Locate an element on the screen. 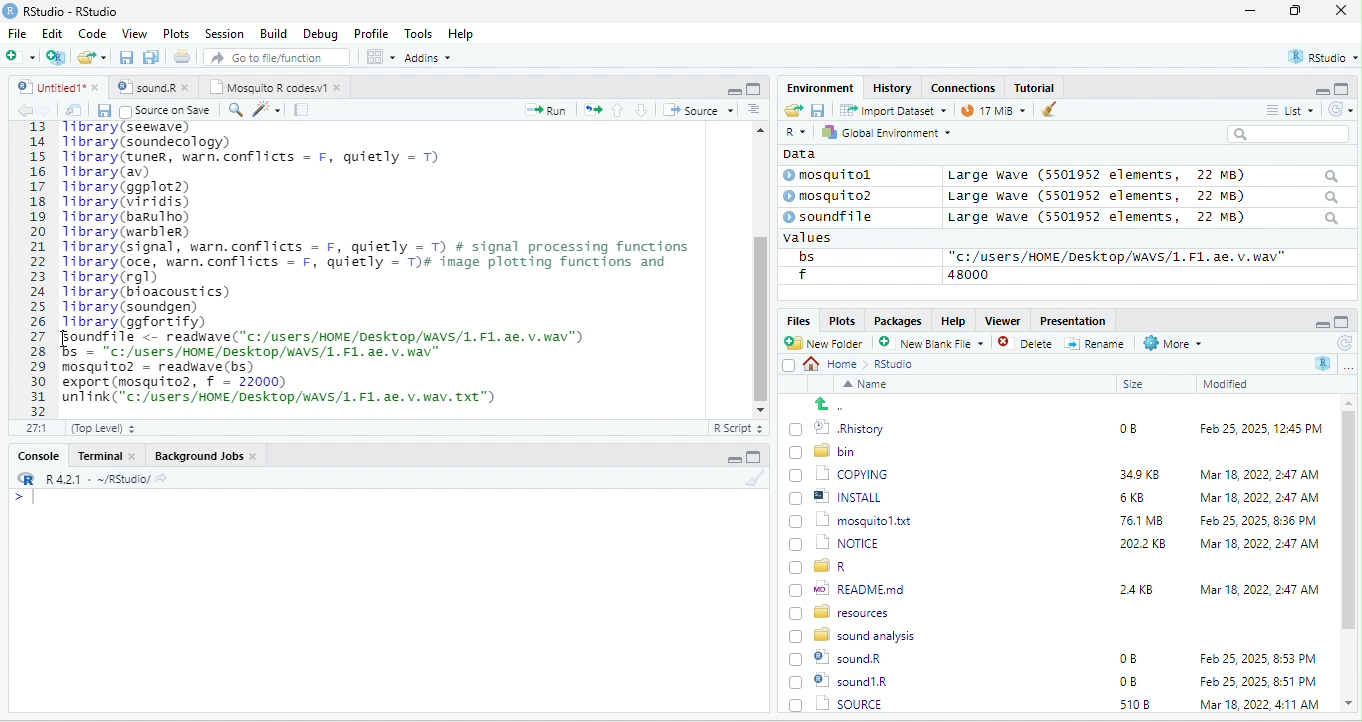 The width and height of the screenshot is (1362, 722). values is located at coordinates (818, 238).